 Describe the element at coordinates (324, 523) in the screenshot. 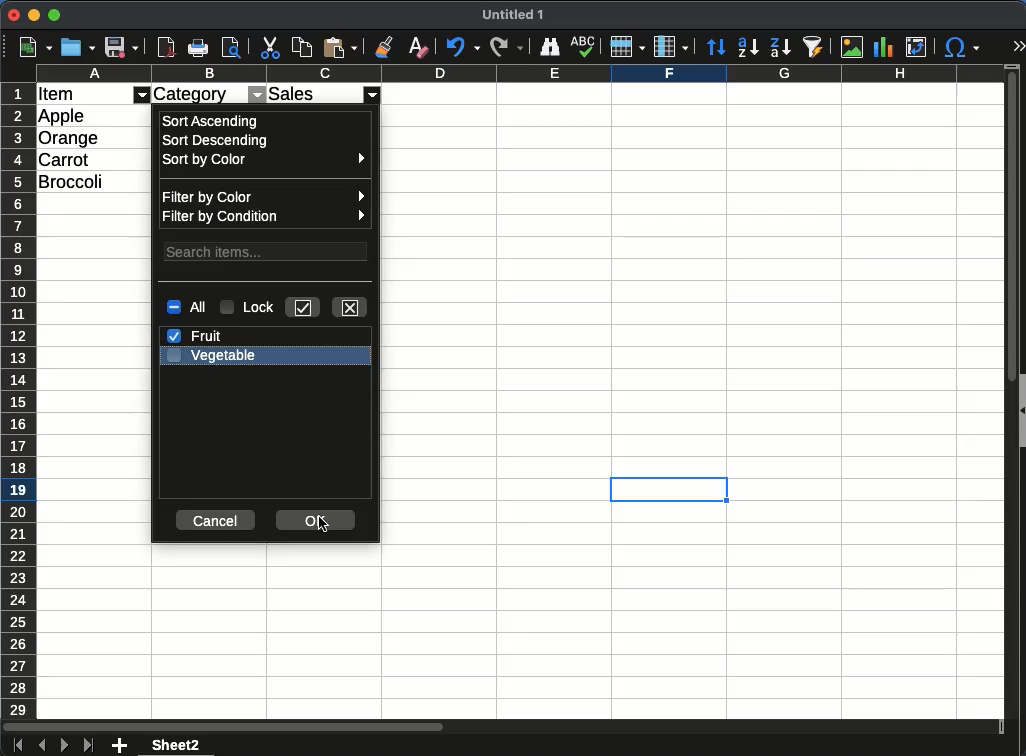

I see `cursor` at that location.